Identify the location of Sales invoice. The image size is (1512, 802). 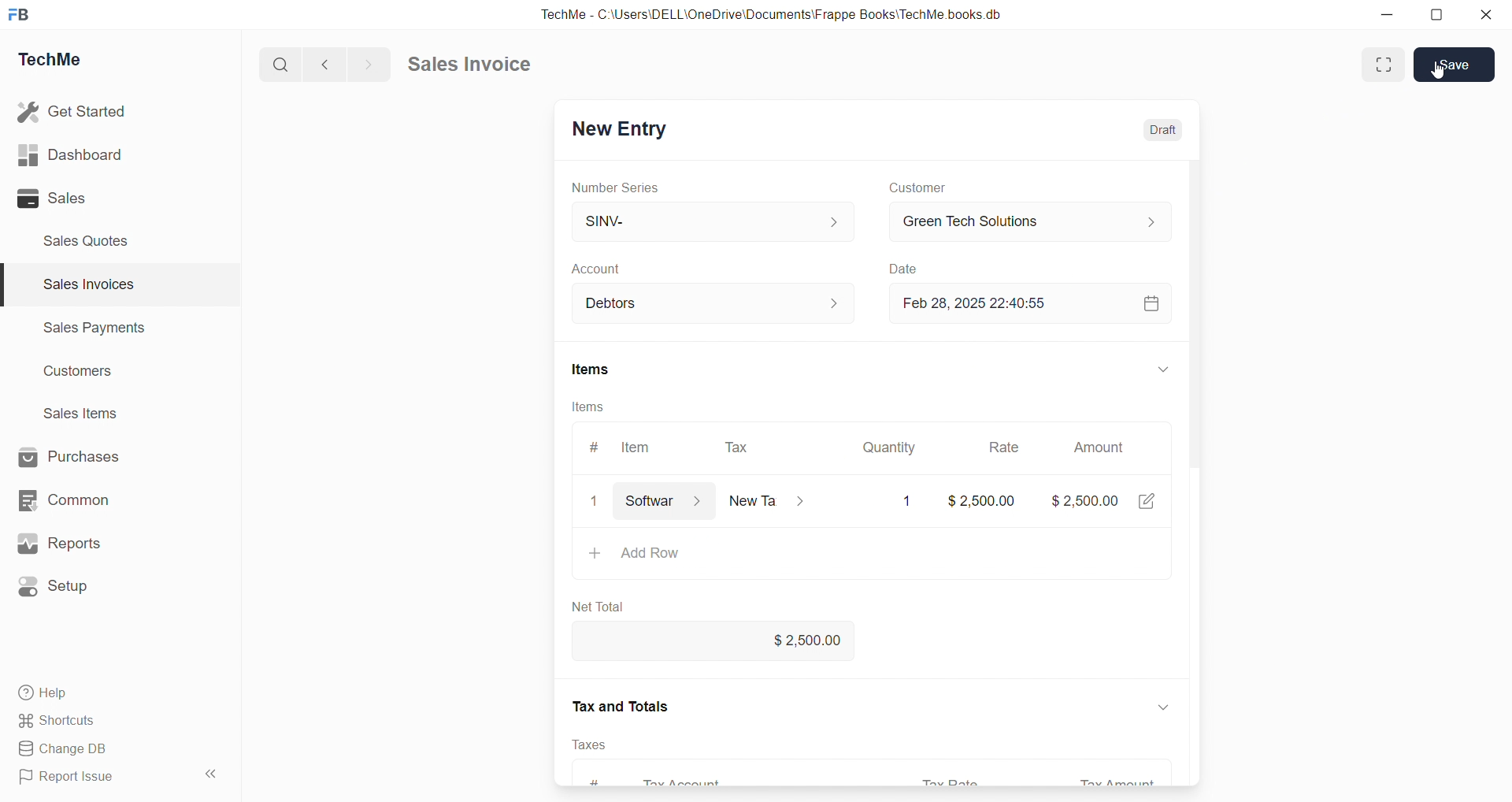
(468, 63).